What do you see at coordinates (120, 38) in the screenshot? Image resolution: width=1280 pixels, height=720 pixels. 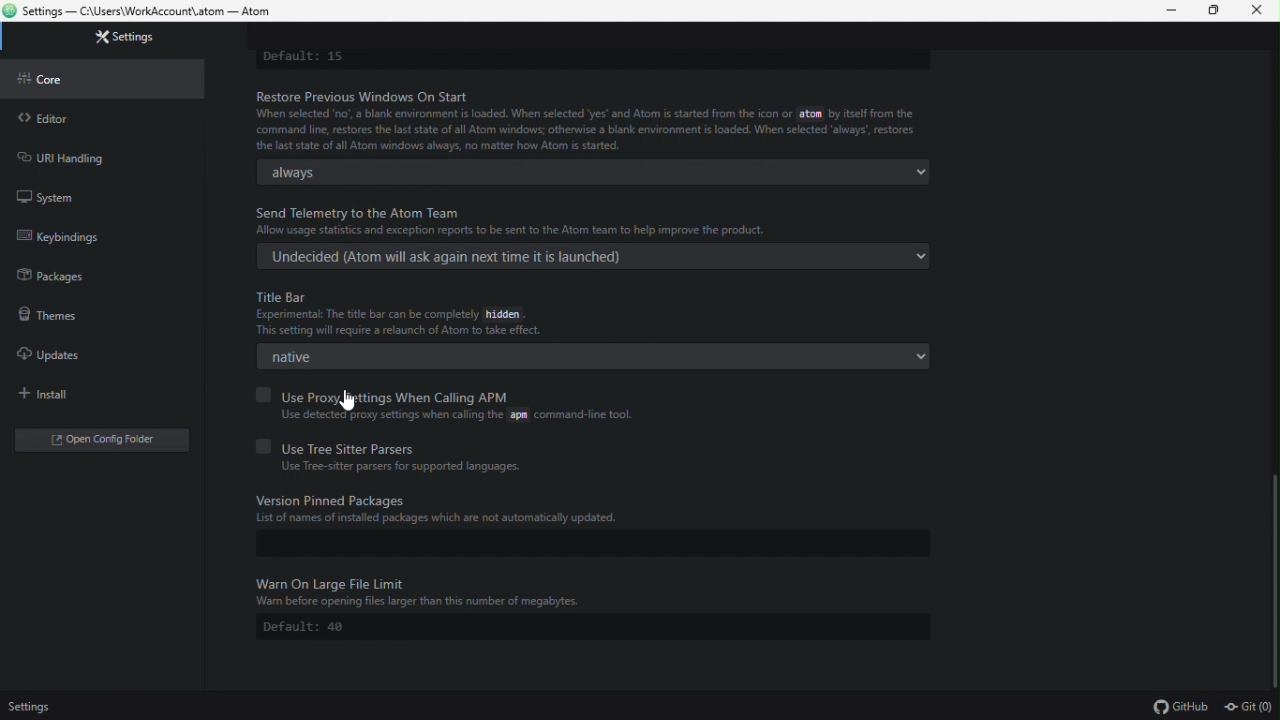 I see `Settings` at bounding box center [120, 38].